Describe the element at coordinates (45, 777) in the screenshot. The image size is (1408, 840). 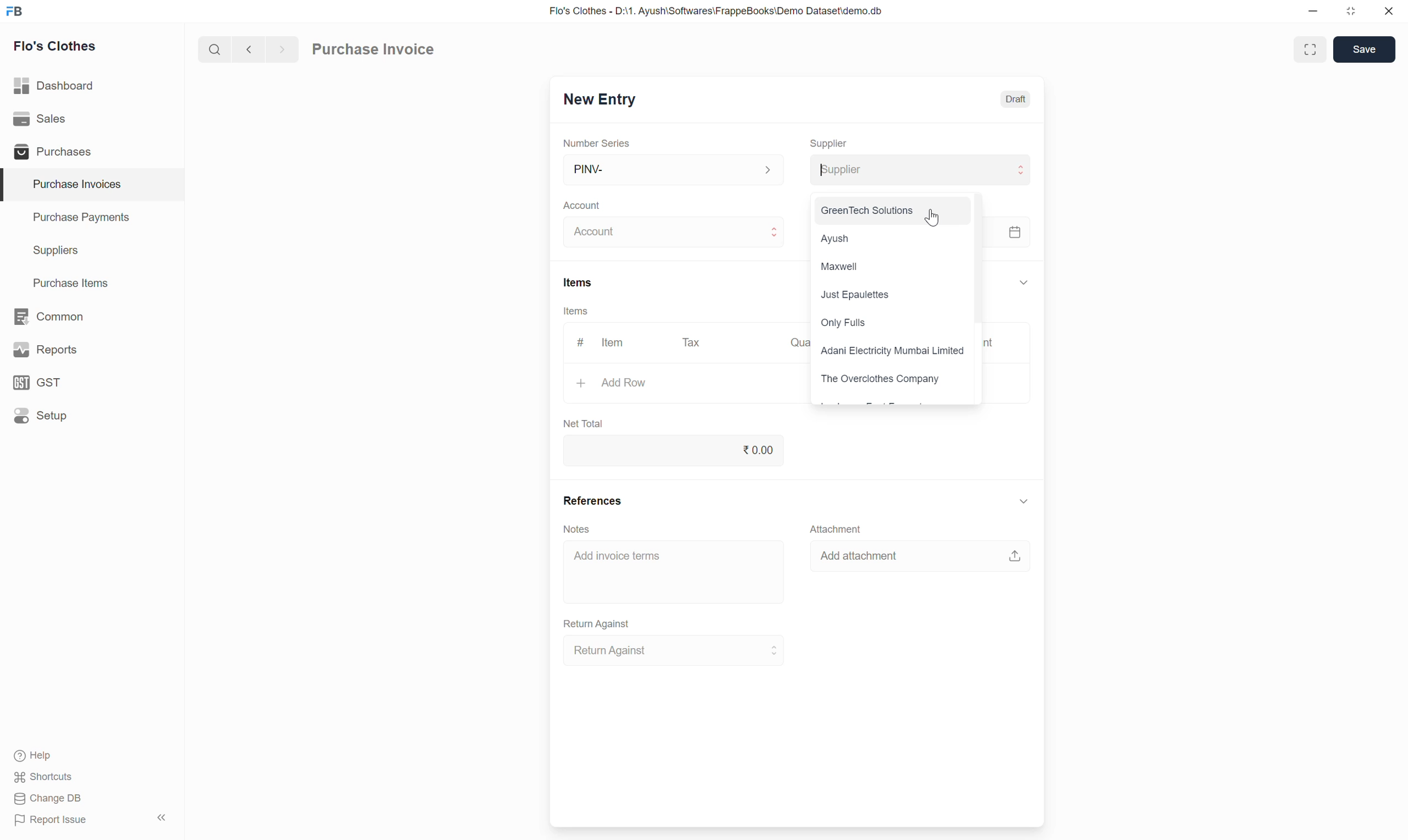
I see `Shortcuts` at that location.